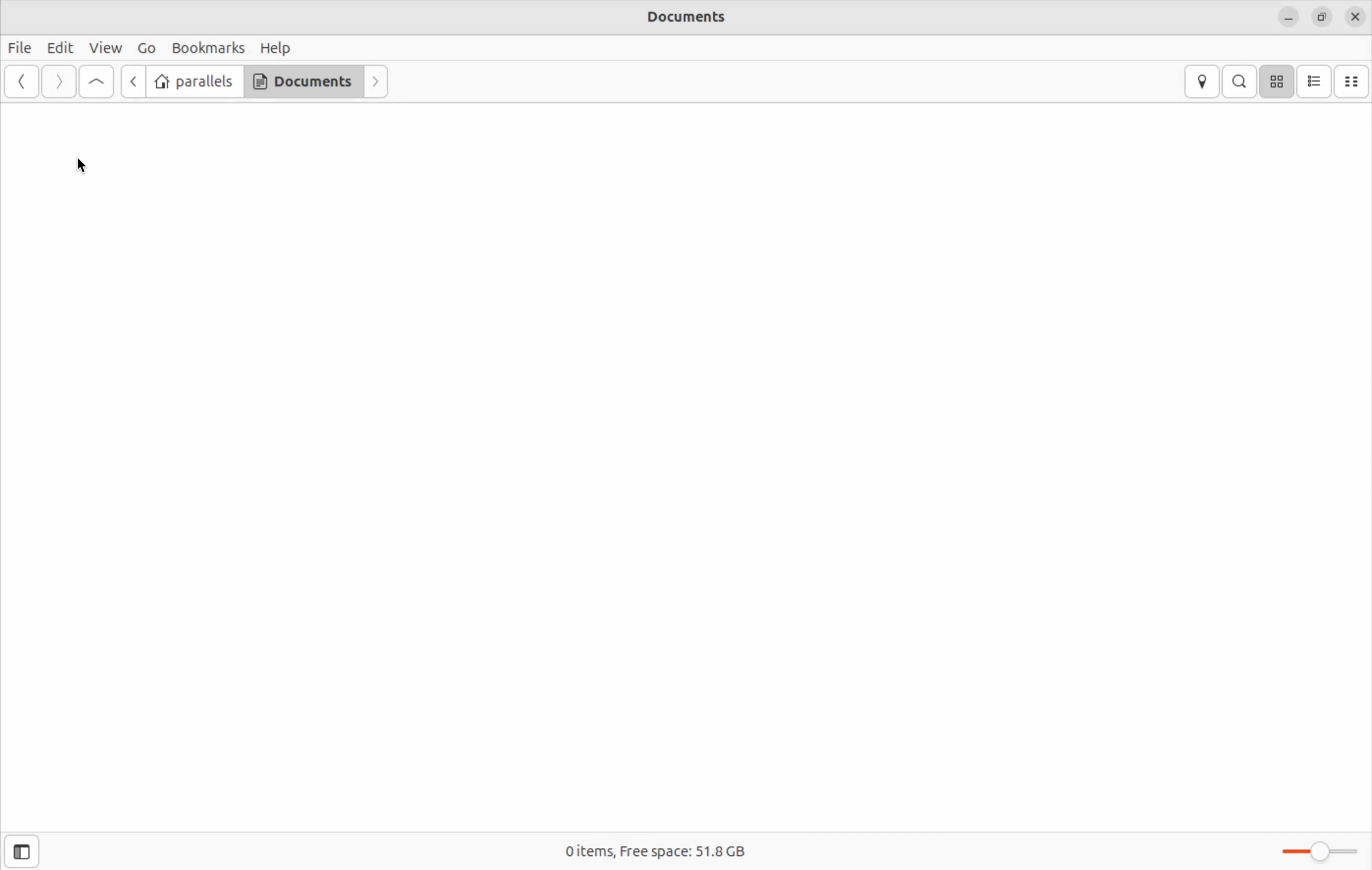  I want to click on open sidebar, so click(29, 848).